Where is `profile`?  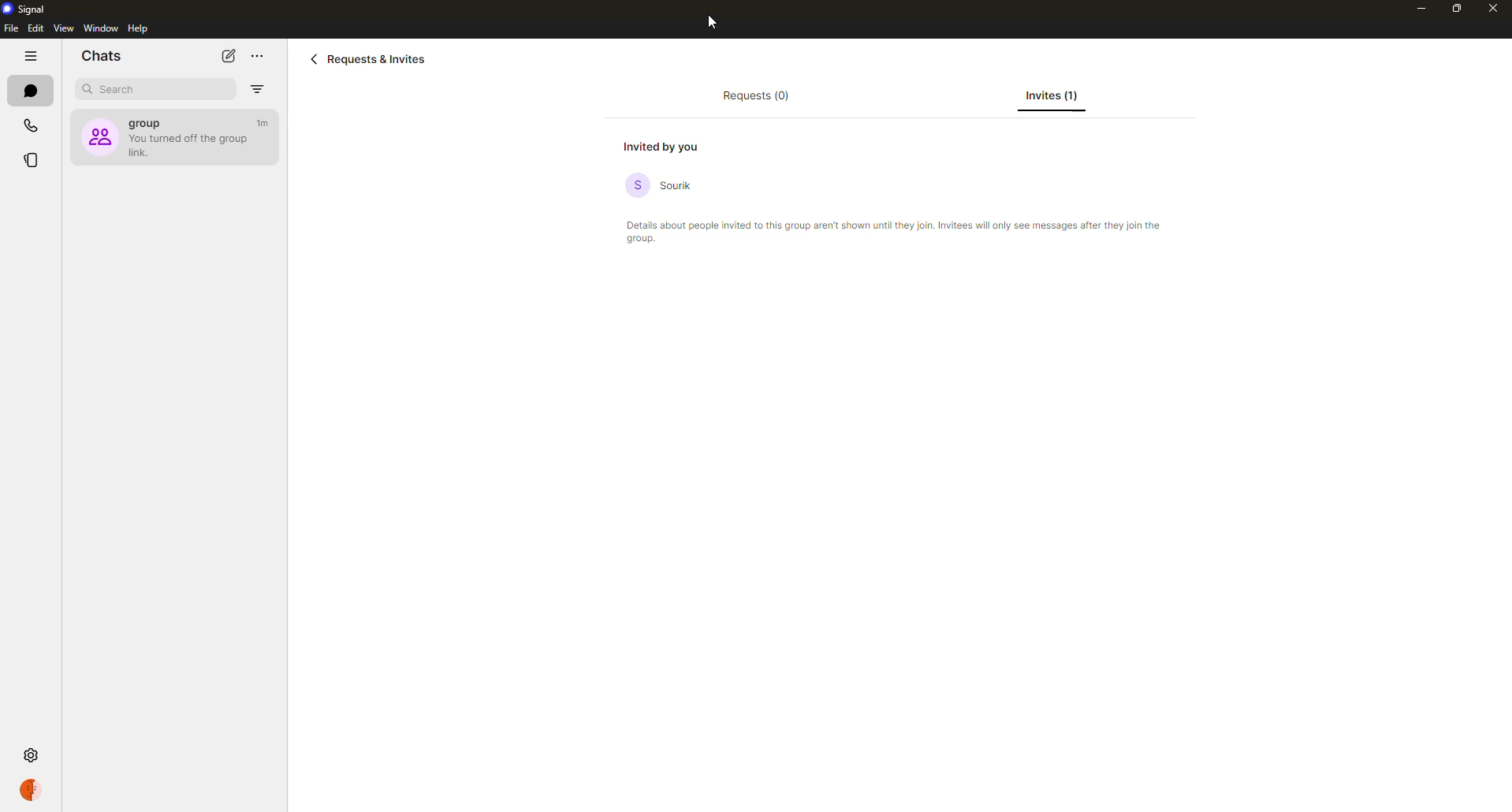 profile is located at coordinates (33, 790).